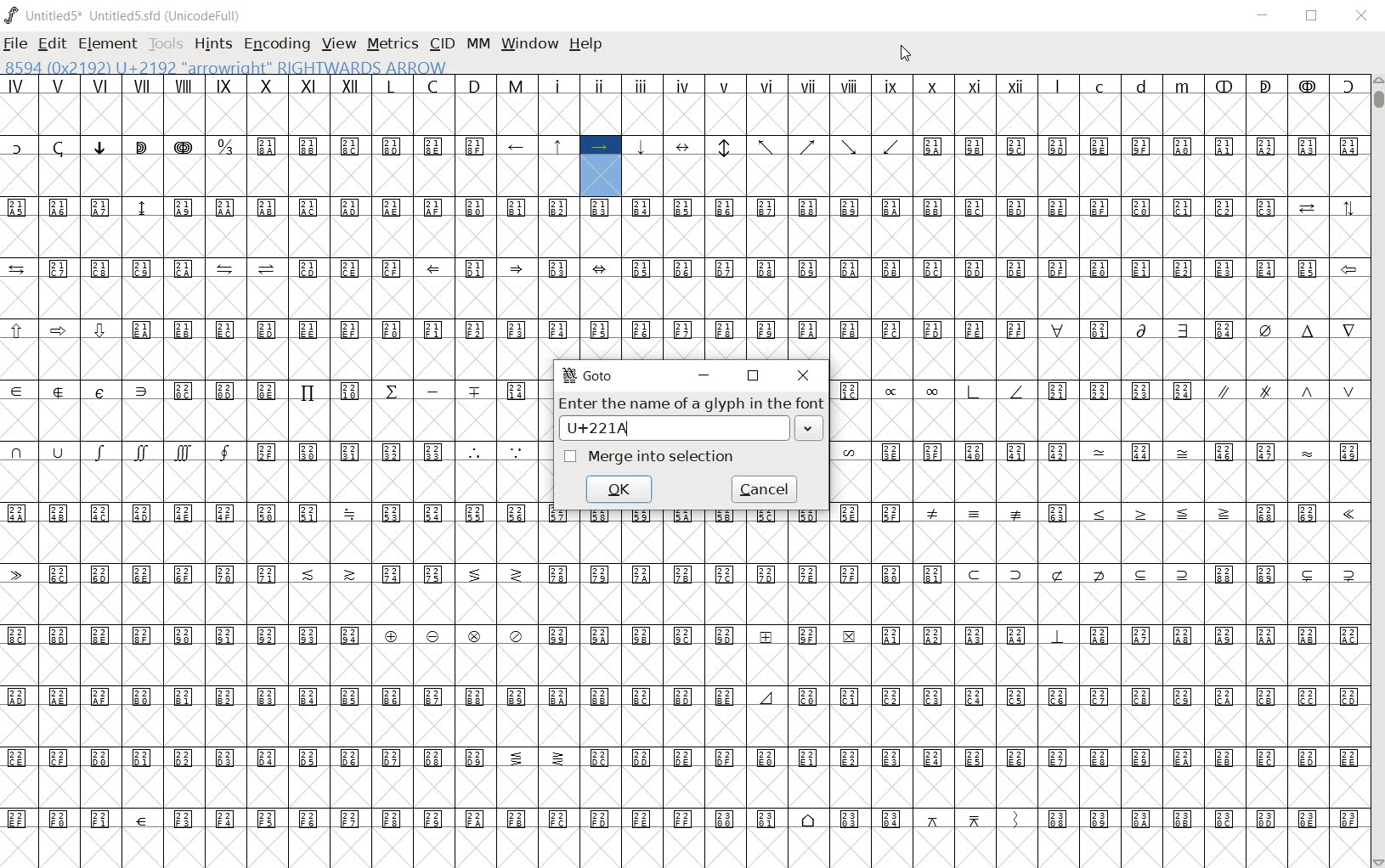 Image resolution: width=1385 pixels, height=868 pixels. What do you see at coordinates (124, 13) in the screenshot?
I see `Untitled5* Untitled5.sfd (UnicodeFull)` at bounding box center [124, 13].